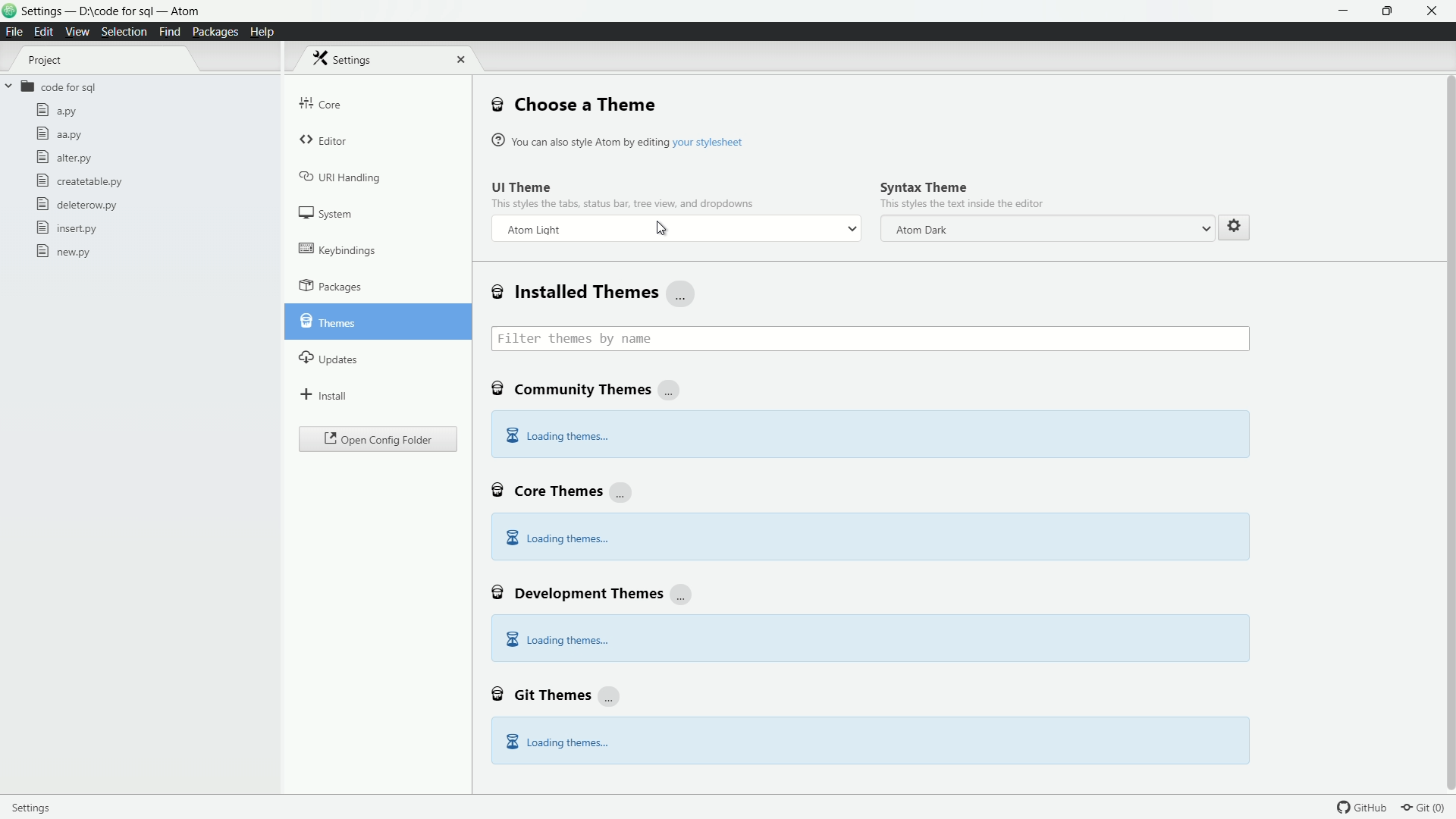  I want to click on filter themes by name, so click(871, 339).